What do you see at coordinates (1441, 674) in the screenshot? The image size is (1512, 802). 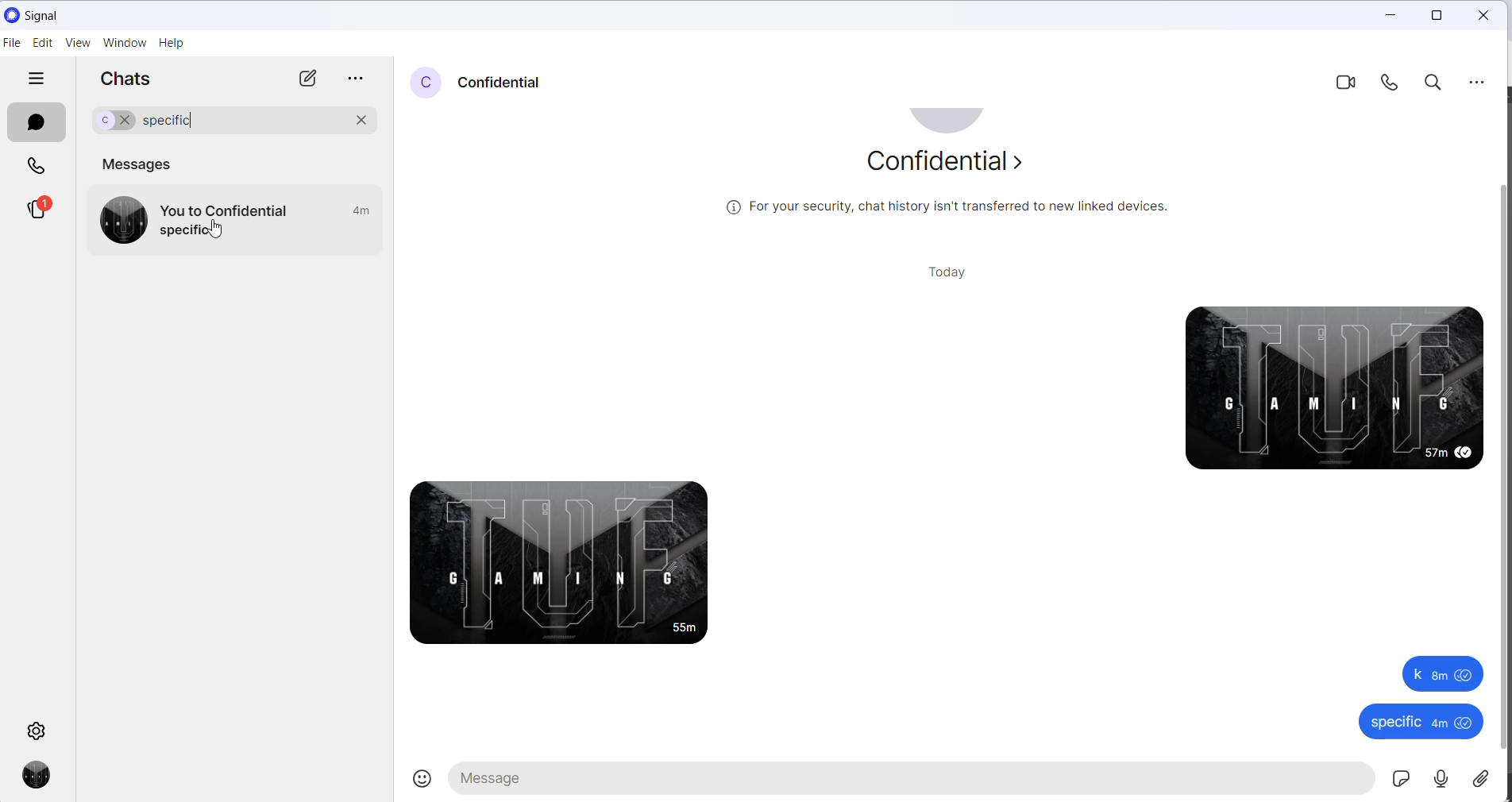 I see `k` at bounding box center [1441, 674].